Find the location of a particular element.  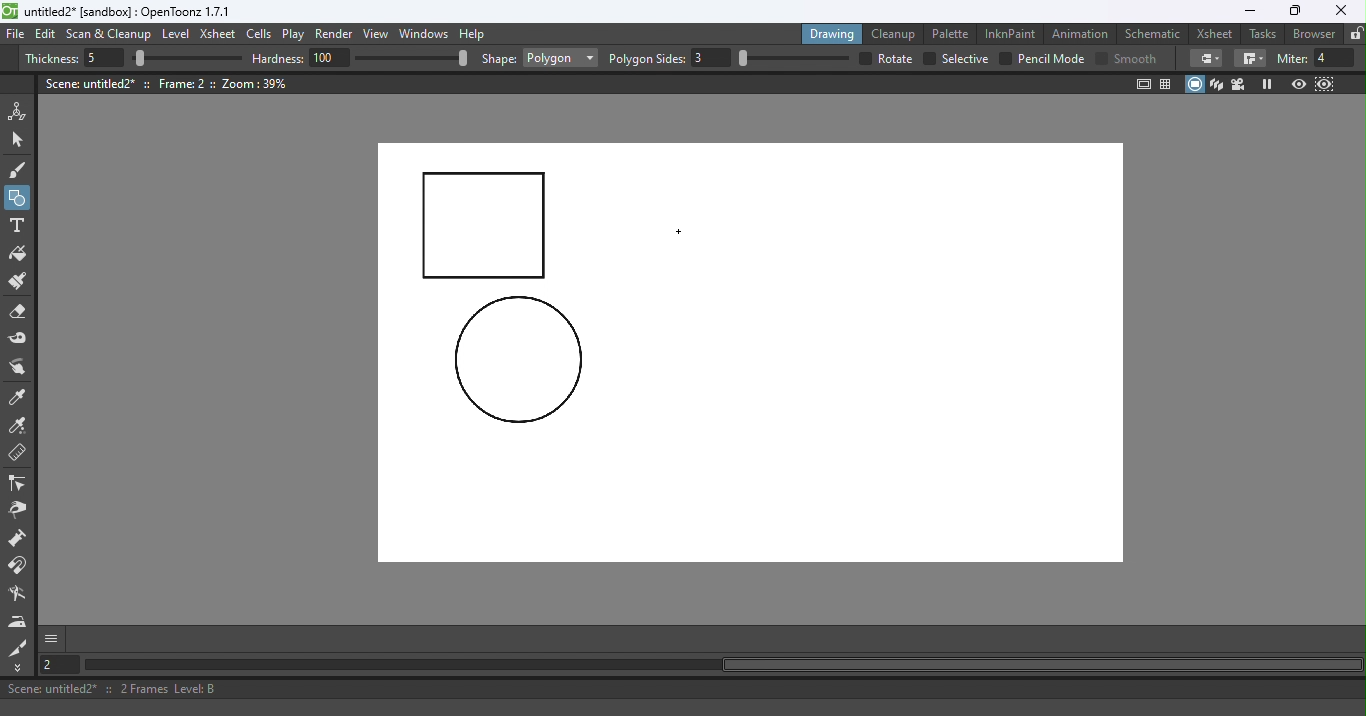

Magnet tool is located at coordinates (19, 540).